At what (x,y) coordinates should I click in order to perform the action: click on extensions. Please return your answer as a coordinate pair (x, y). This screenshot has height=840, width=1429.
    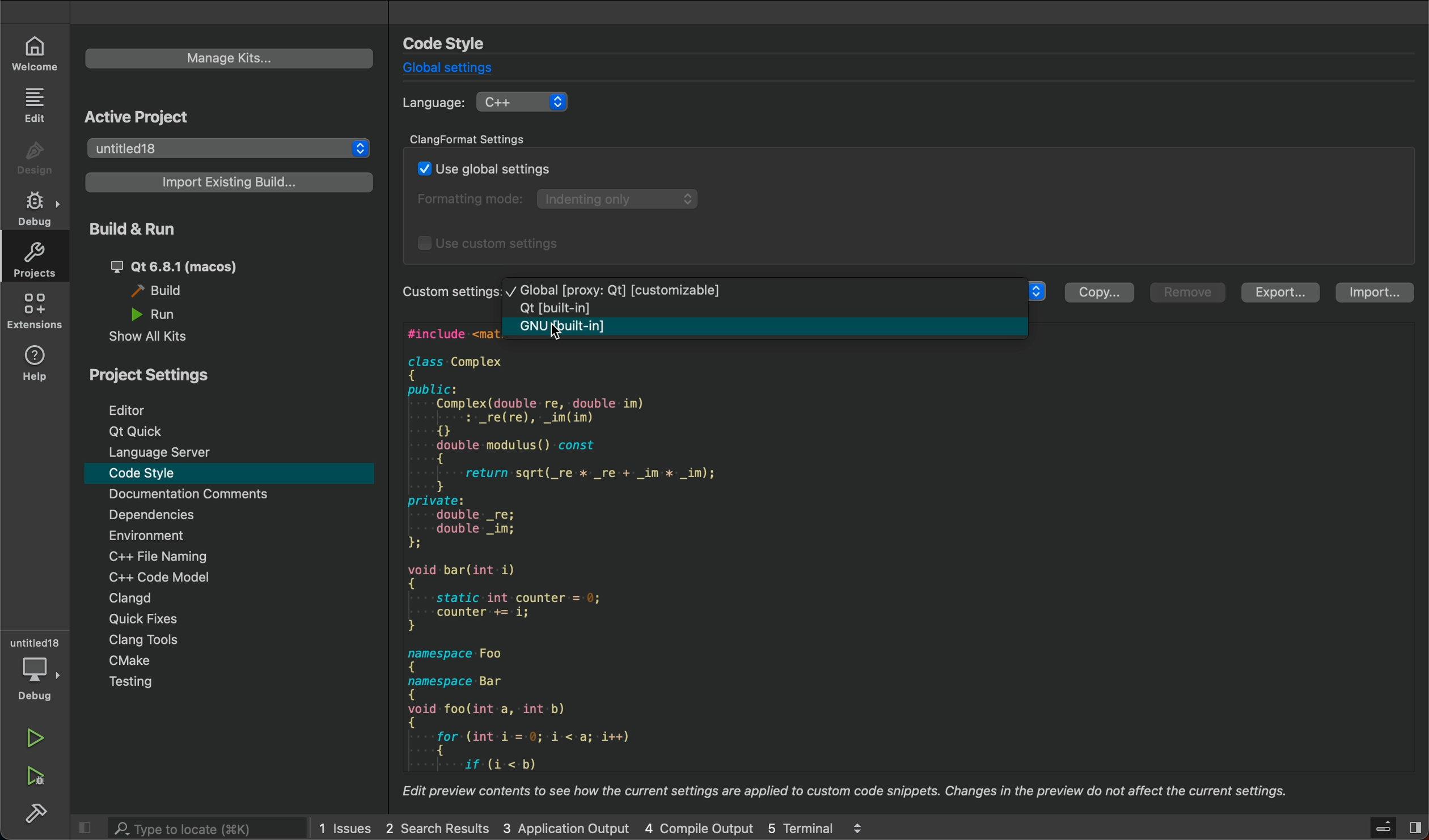
    Looking at the image, I should click on (34, 311).